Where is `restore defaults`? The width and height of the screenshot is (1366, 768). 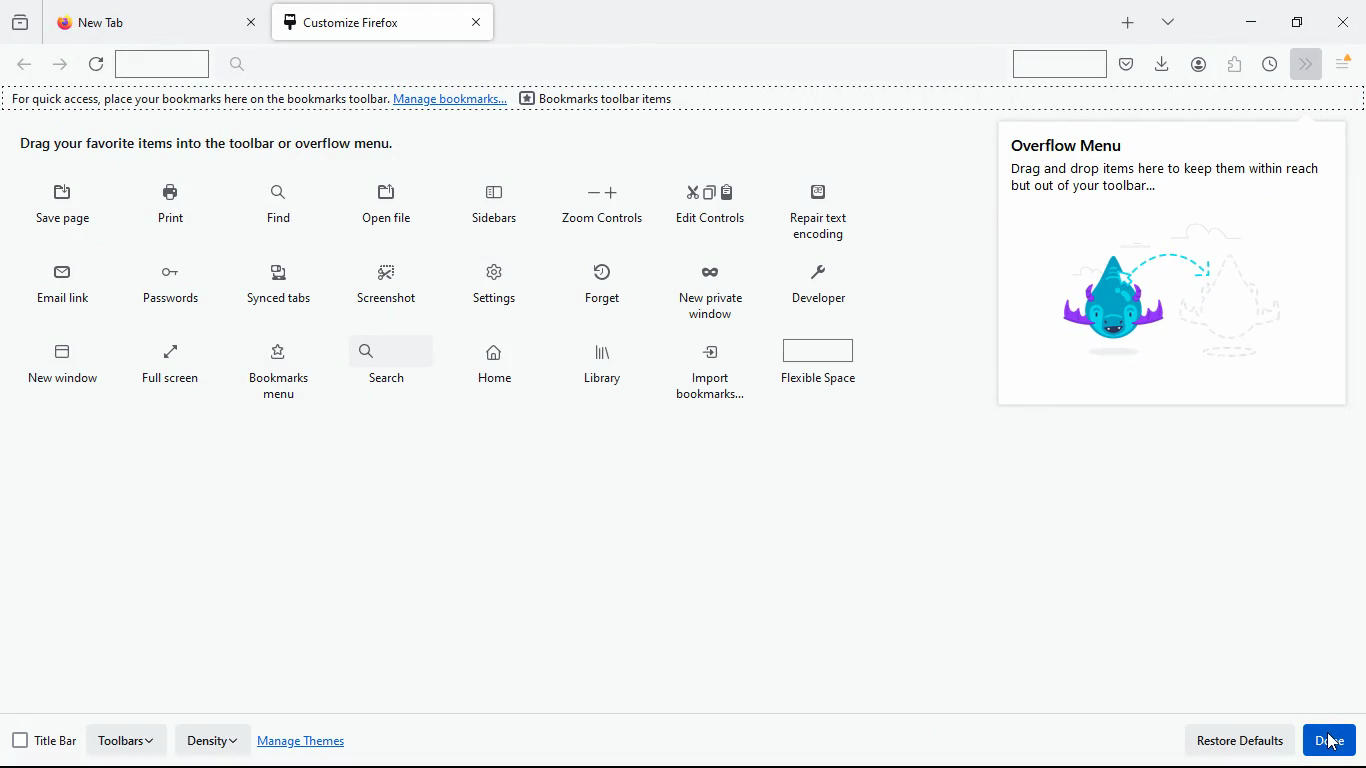 restore defaults is located at coordinates (1240, 742).